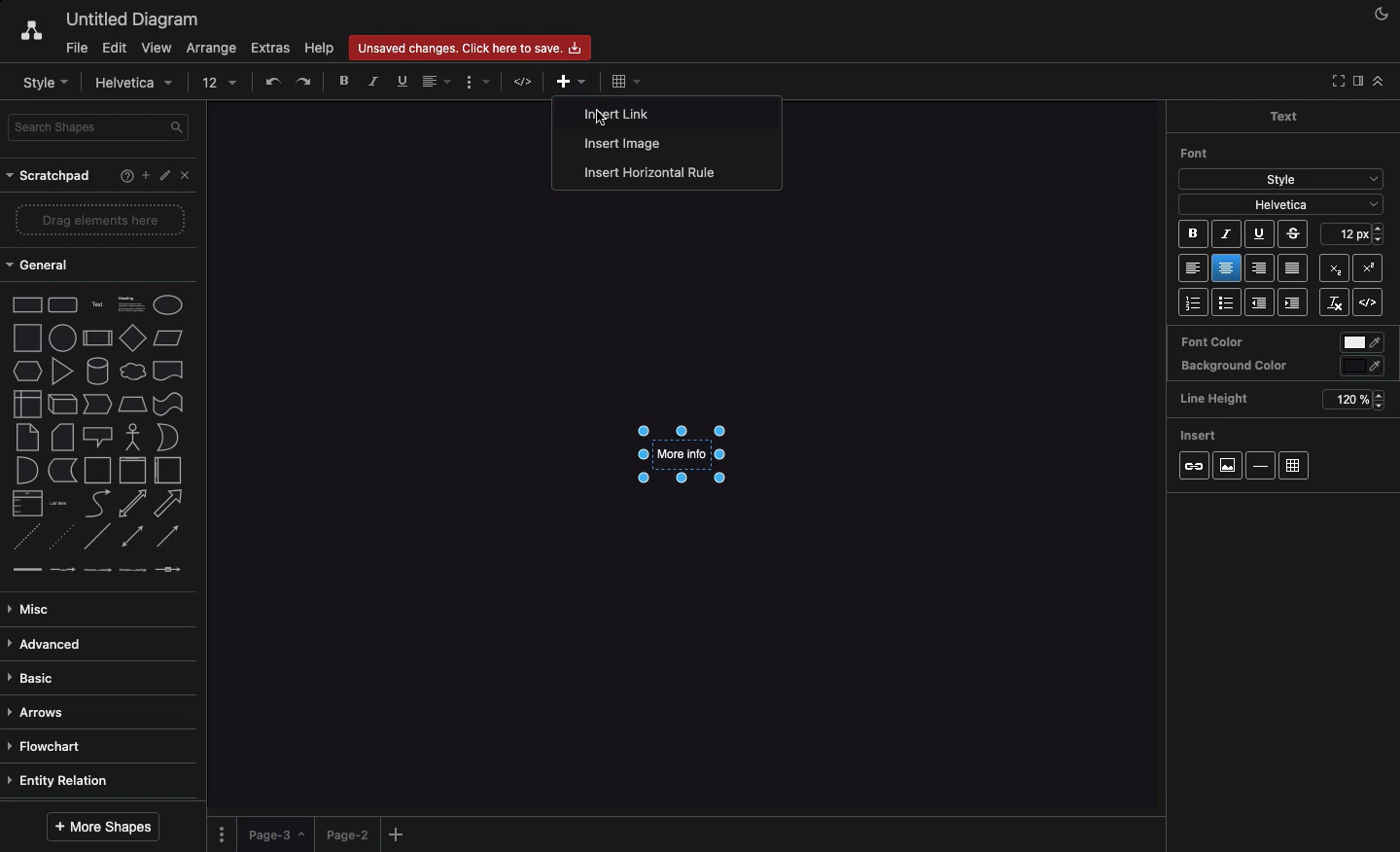  I want to click on Redo, so click(305, 82).